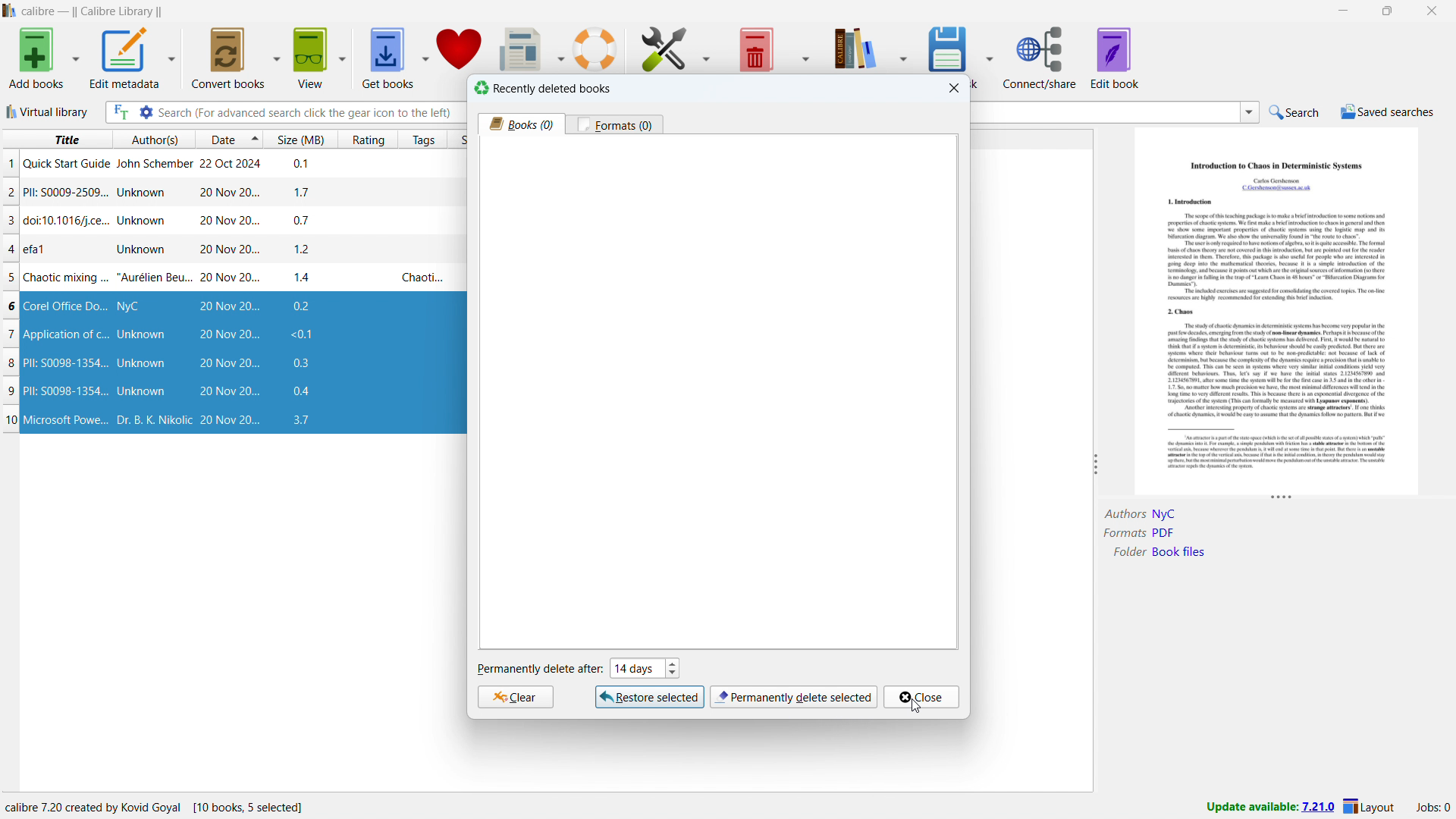 This screenshot has height=819, width=1456. What do you see at coordinates (225, 249) in the screenshot?
I see `single book entry` at bounding box center [225, 249].